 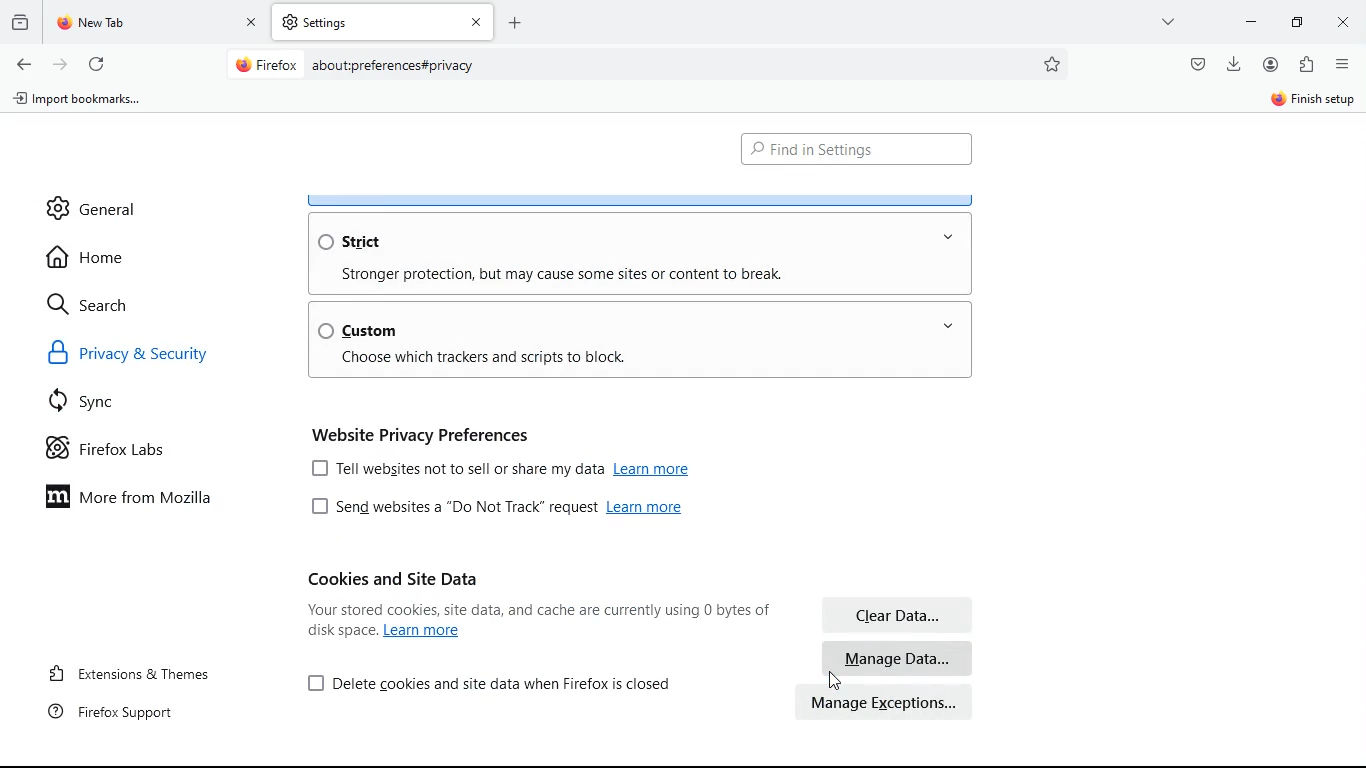 I want to click on [J Tell websites not to sell or share my data Learn more, so click(x=506, y=467).